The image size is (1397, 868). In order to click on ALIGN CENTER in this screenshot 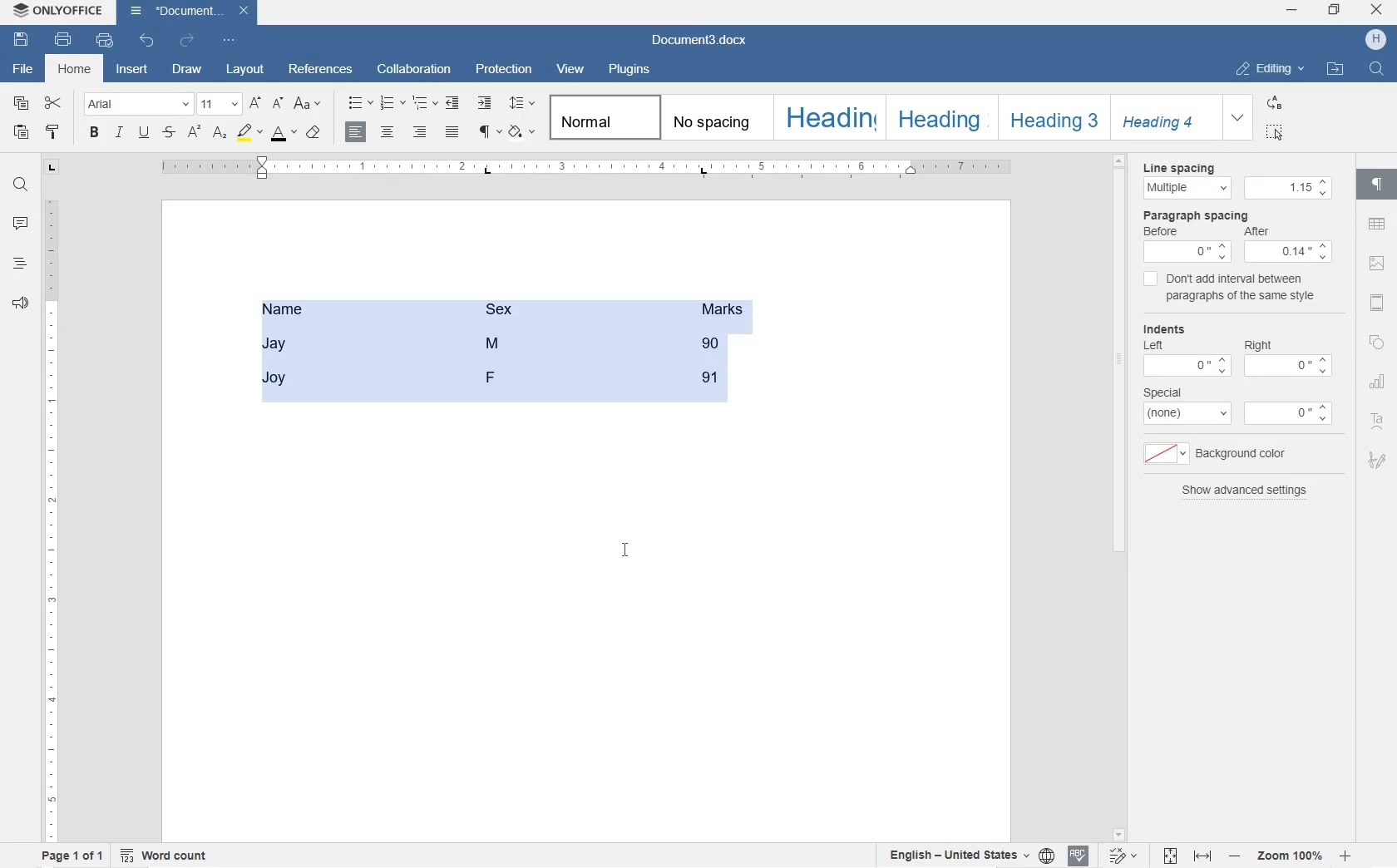, I will do `click(388, 132)`.